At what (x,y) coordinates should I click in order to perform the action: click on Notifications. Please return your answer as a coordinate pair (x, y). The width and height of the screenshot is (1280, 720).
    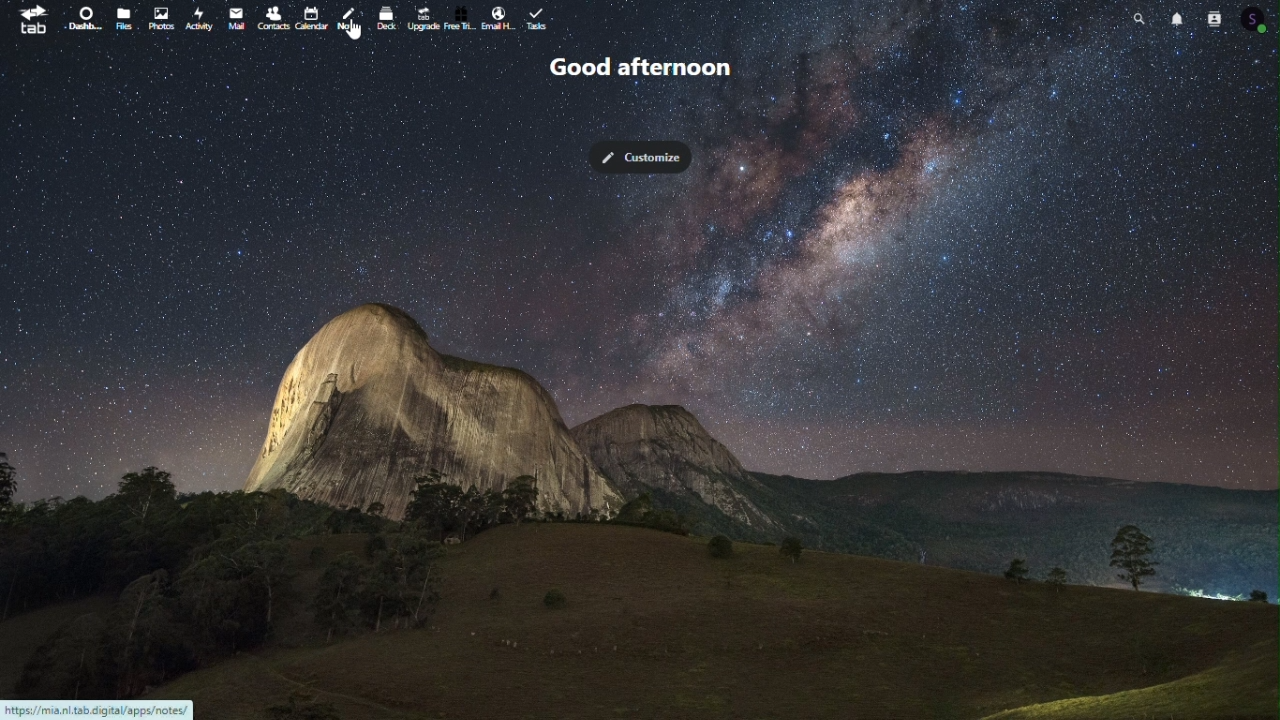
    Looking at the image, I should click on (1177, 16).